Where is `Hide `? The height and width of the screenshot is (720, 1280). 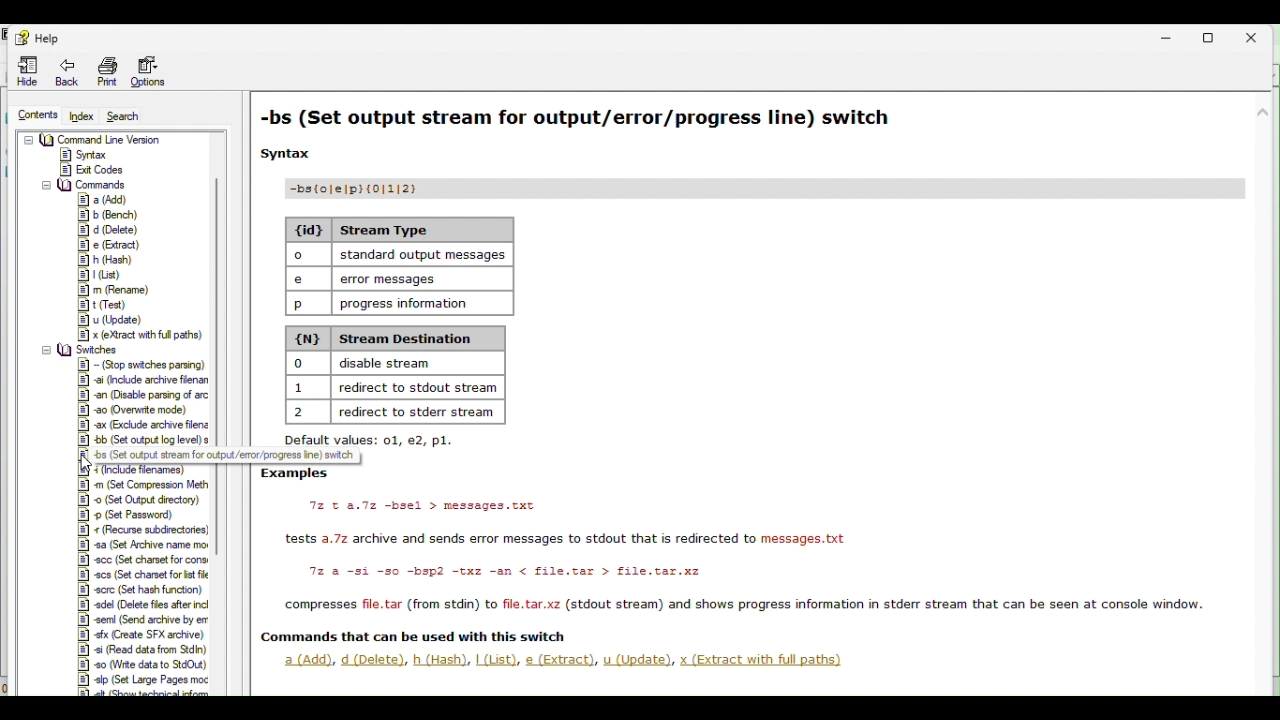
Hide  is located at coordinates (23, 72).